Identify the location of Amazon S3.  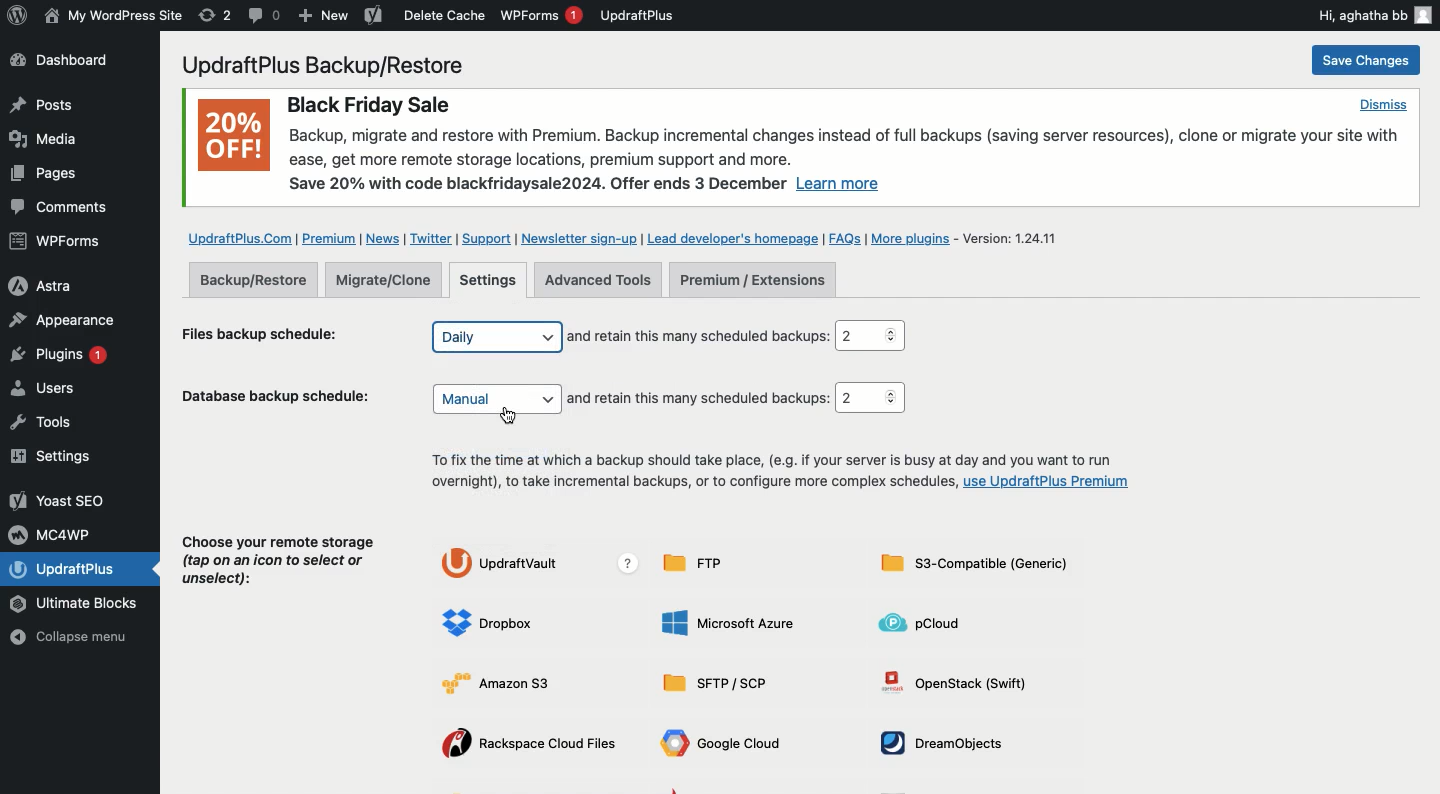
(511, 682).